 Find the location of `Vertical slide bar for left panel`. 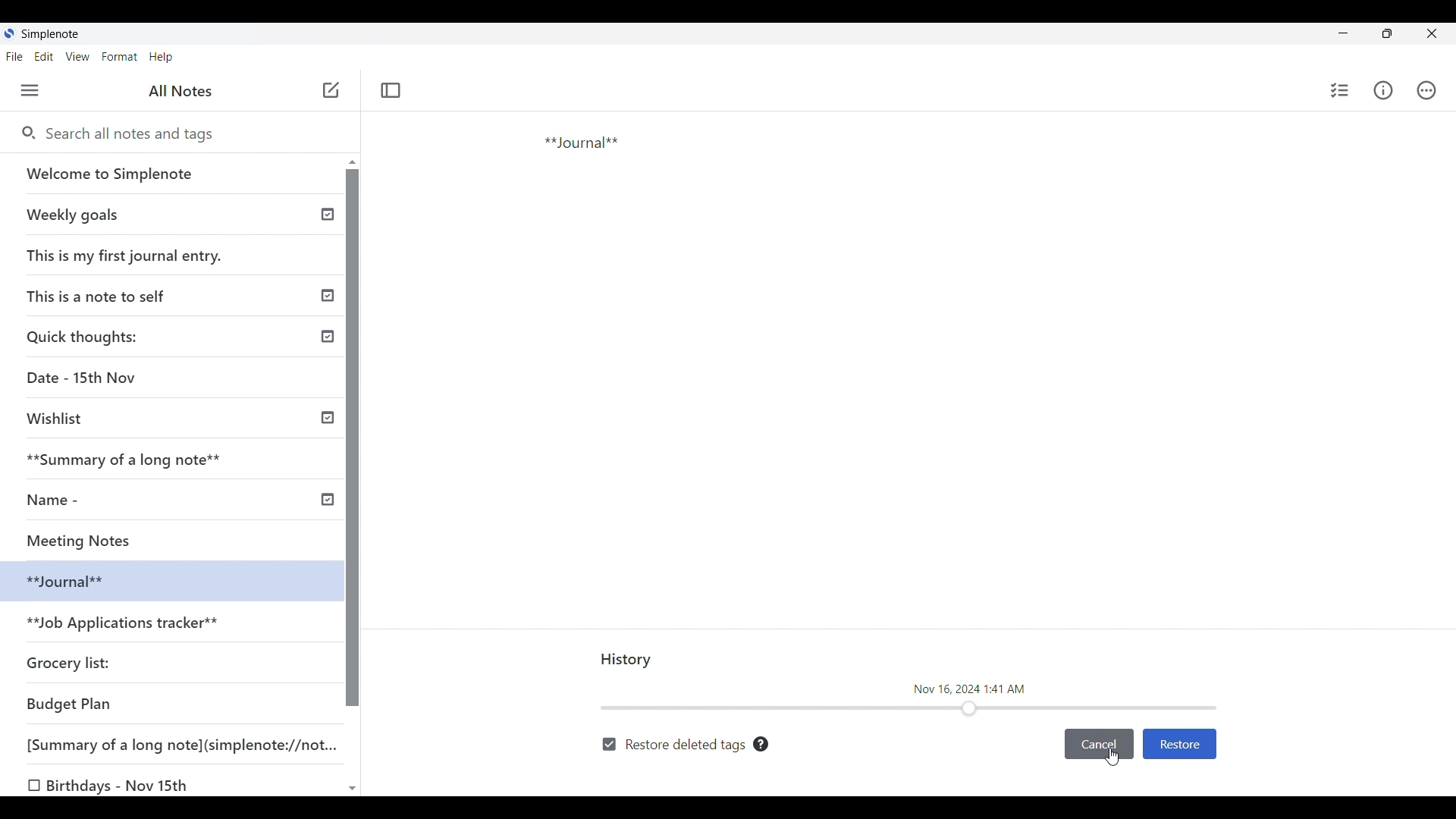

Vertical slide bar for left panel is located at coordinates (353, 438).